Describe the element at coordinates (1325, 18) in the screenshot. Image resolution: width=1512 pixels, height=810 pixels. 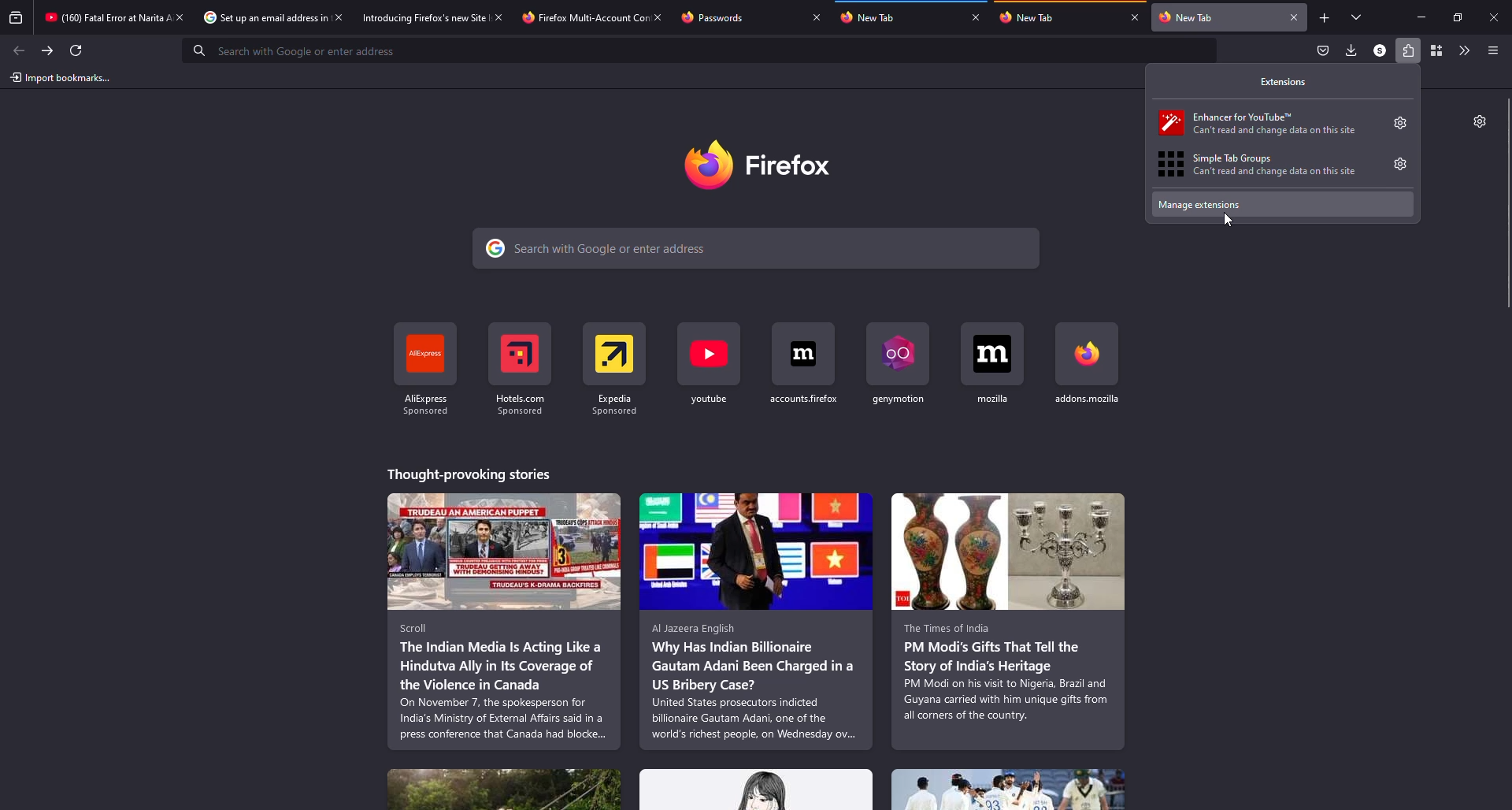
I see `add` at that location.